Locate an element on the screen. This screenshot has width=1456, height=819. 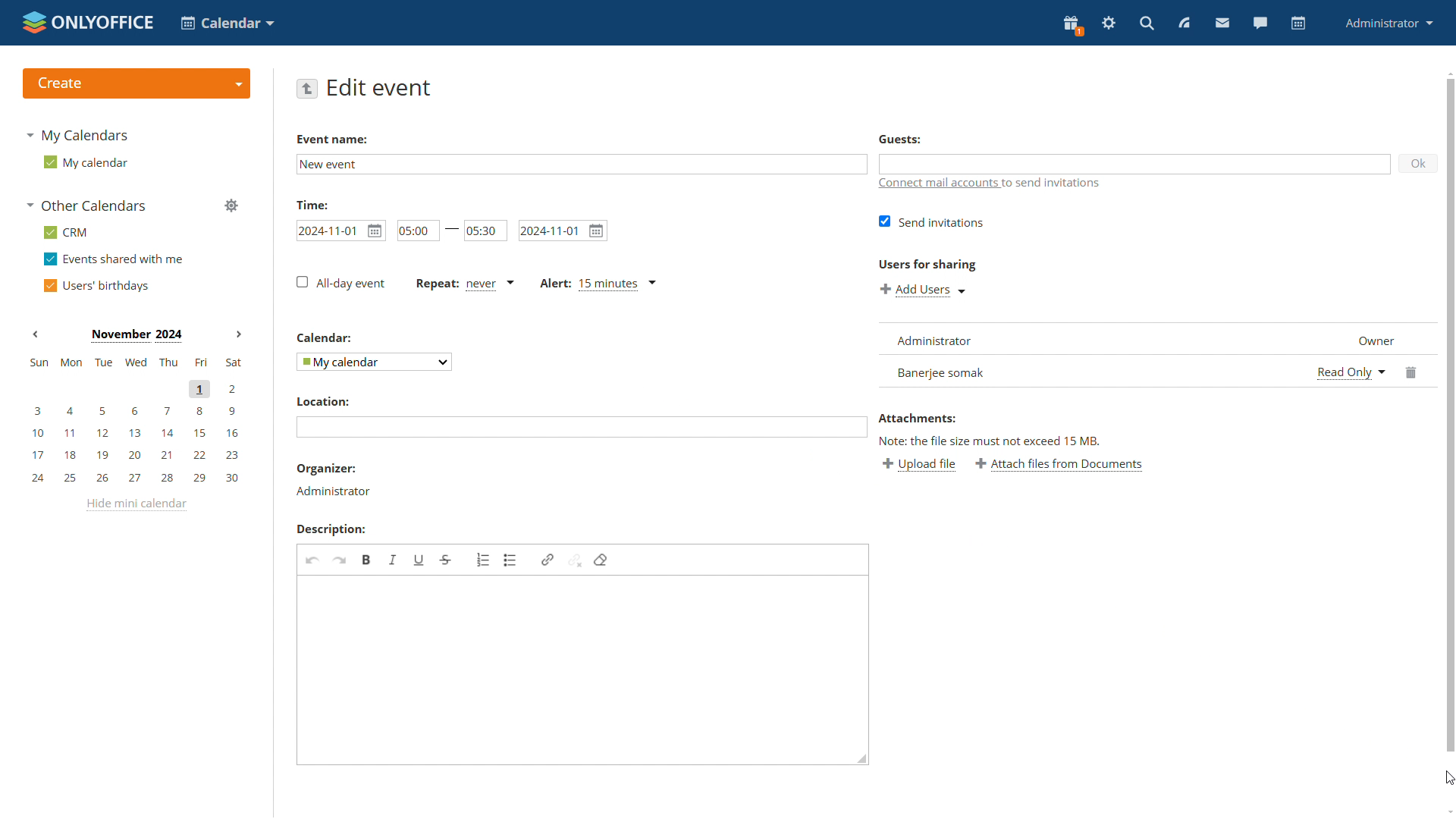
ok is located at coordinates (1420, 163).